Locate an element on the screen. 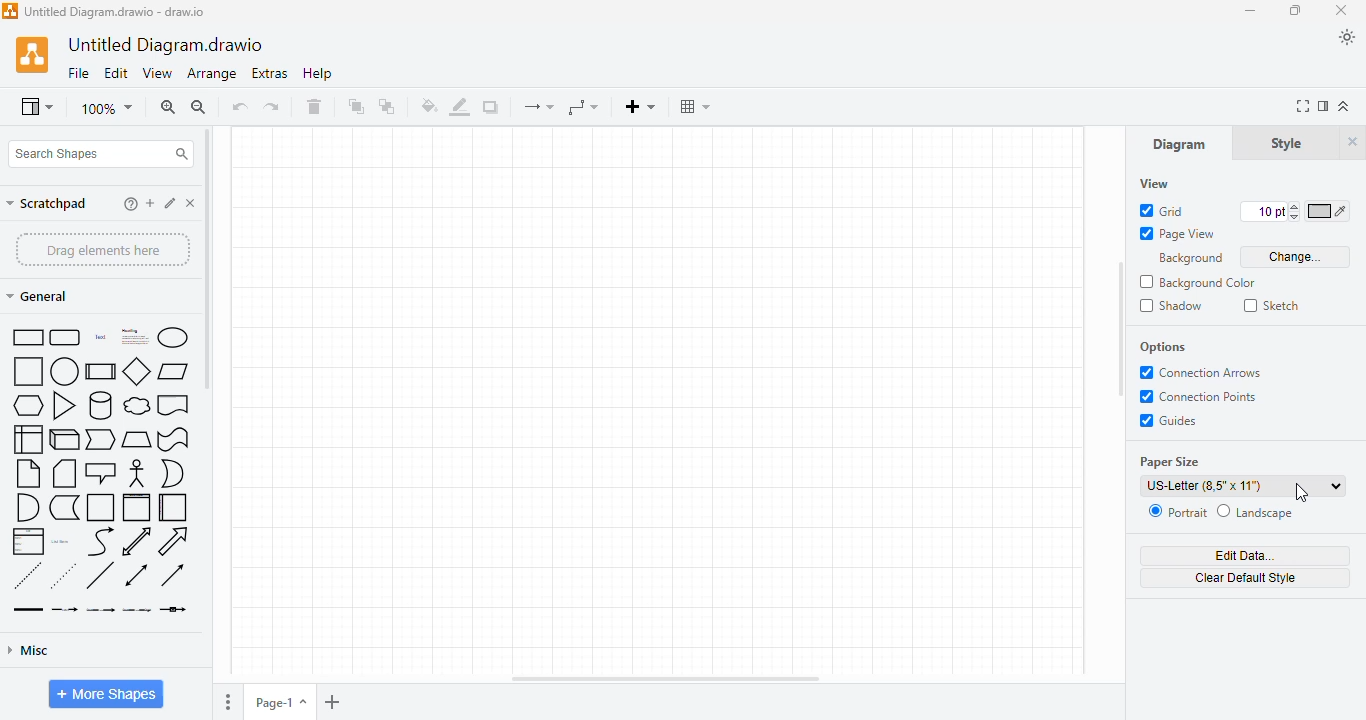 Image resolution: width=1366 pixels, height=720 pixels. circle is located at coordinates (64, 371).